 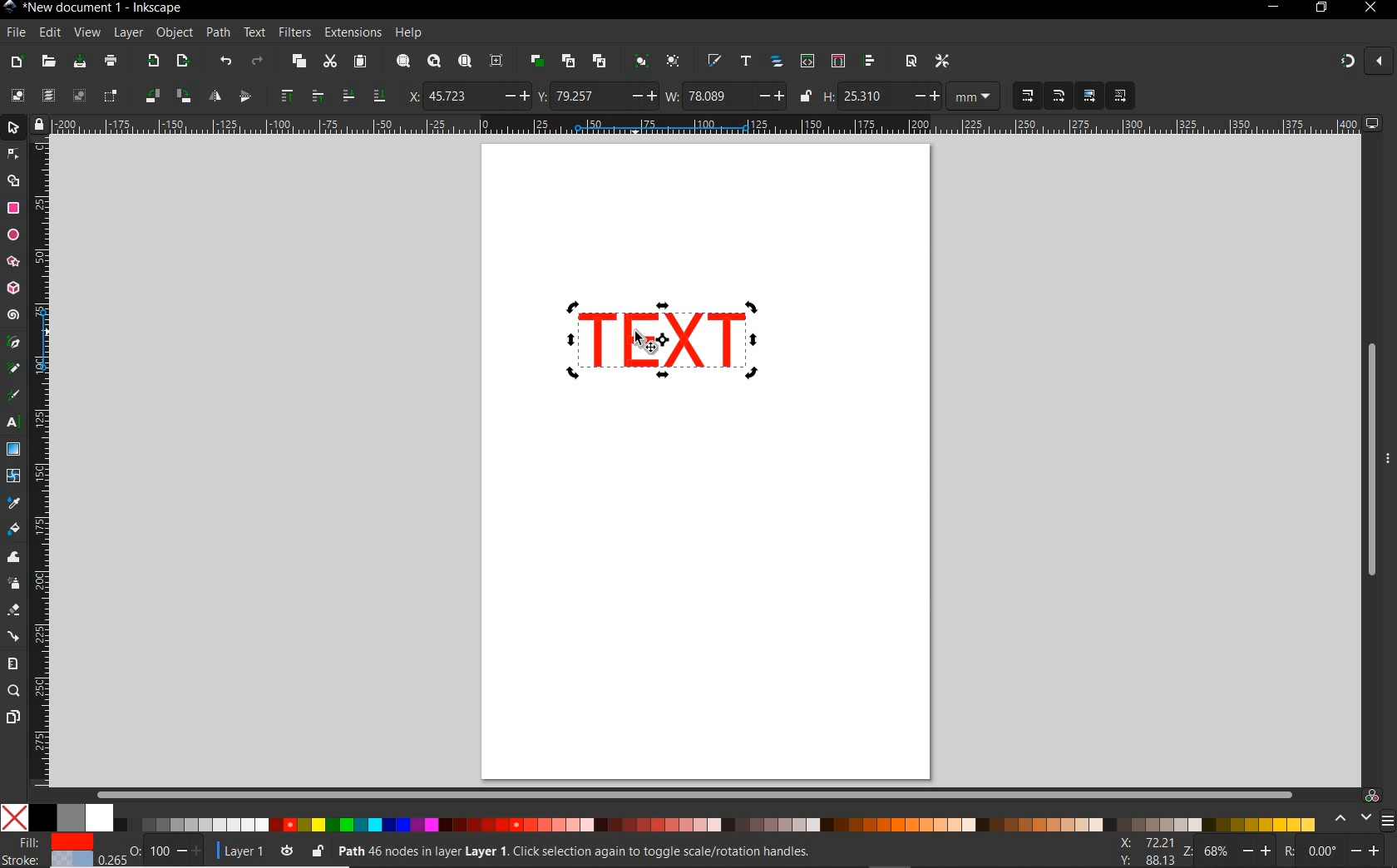 I want to click on FILE & STROKE, so click(x=58, y=852).